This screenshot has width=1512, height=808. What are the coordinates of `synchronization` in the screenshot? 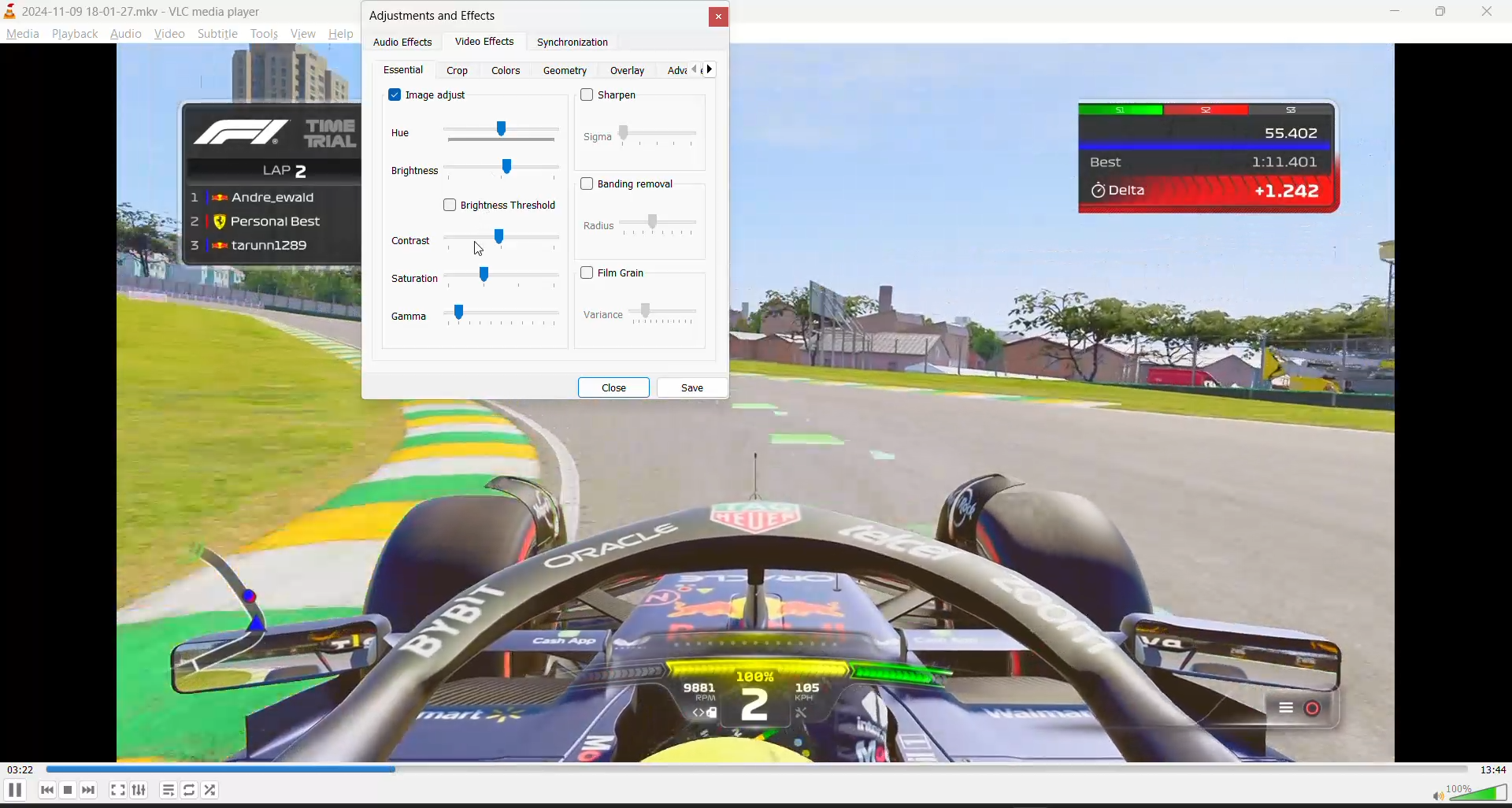 It's located at (578, 46).